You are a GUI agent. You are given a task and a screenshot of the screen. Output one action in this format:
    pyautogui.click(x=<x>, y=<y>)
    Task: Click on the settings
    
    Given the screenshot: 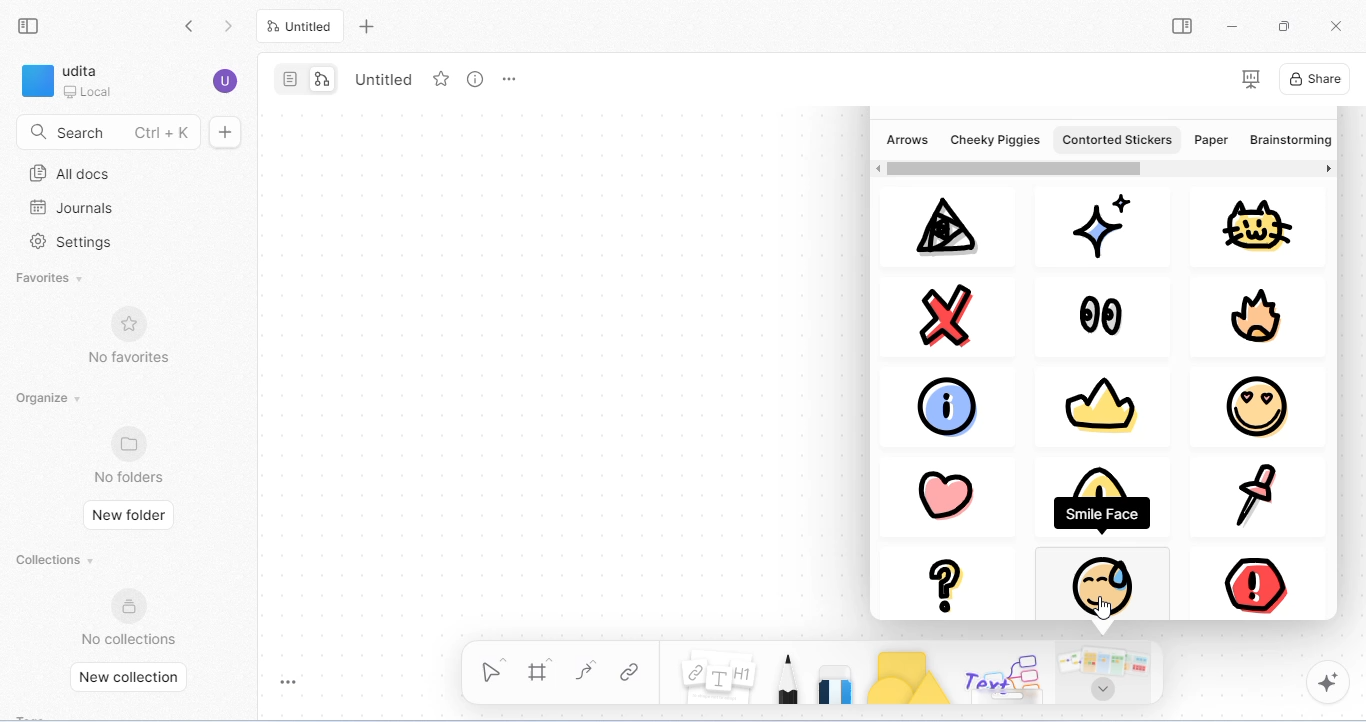 What is the action you would take?
    pyautogui.click(x=75, y=243)
    